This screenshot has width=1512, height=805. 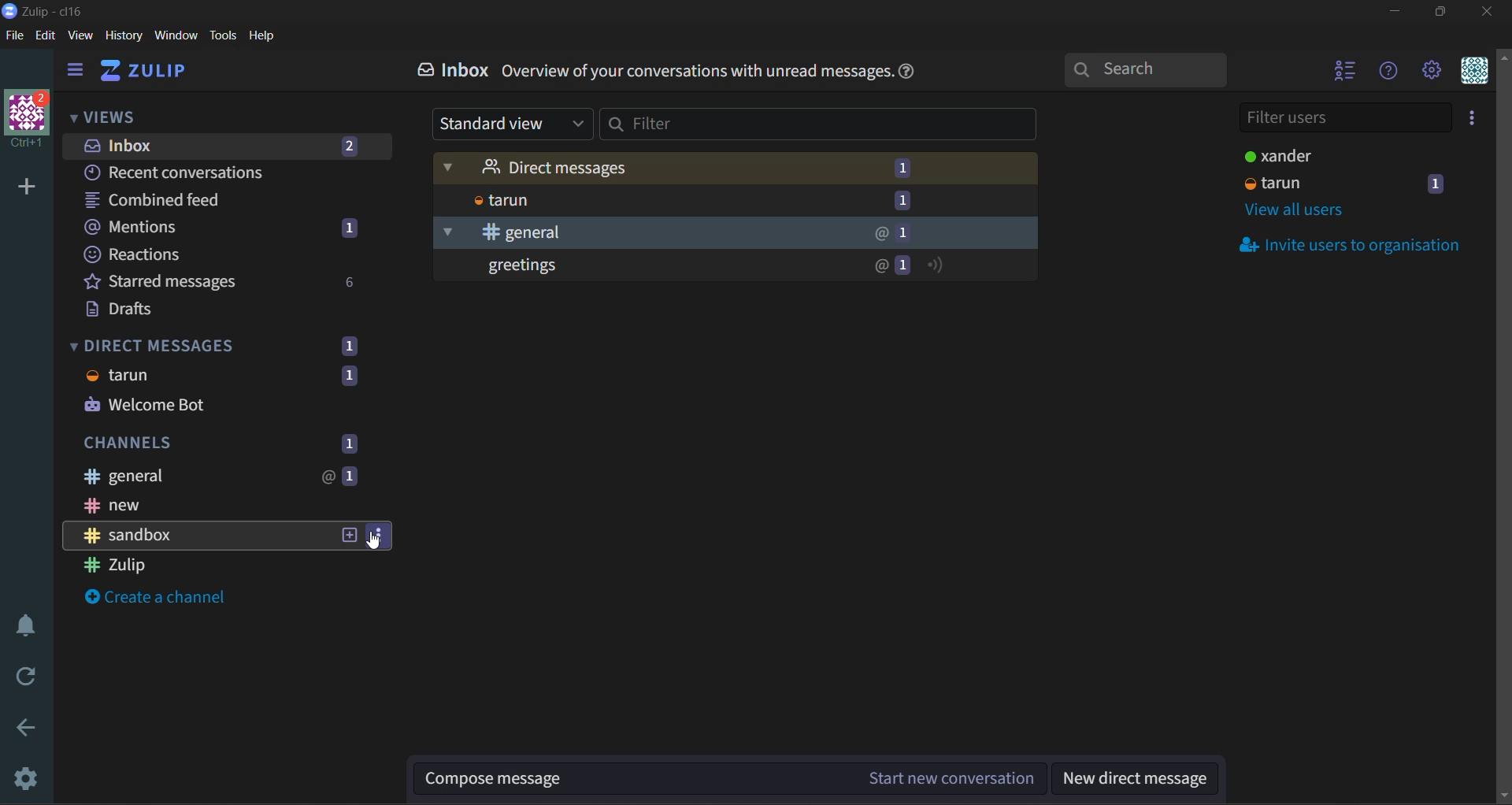 I want to click on users and status, so click(x=1345, y=185).